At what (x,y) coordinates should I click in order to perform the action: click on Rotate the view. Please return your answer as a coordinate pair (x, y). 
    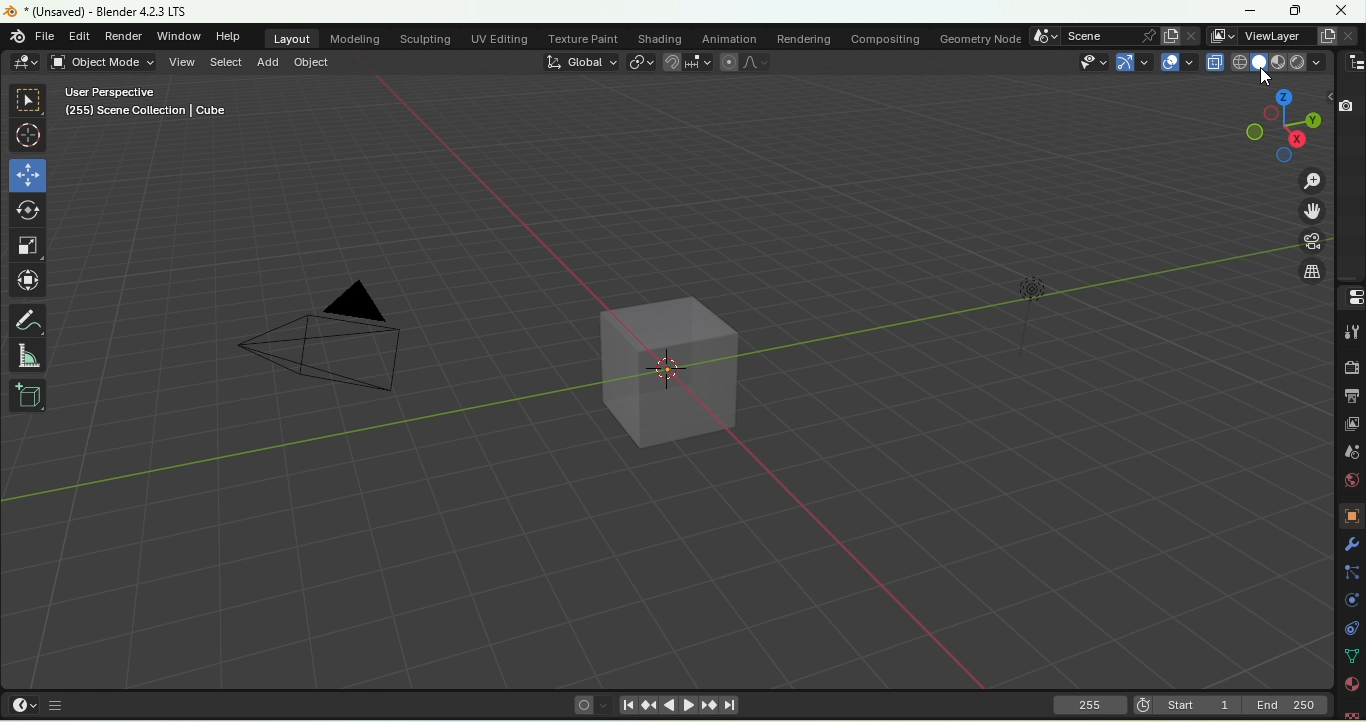
    Looking at the image, I should click on (1284, 156).